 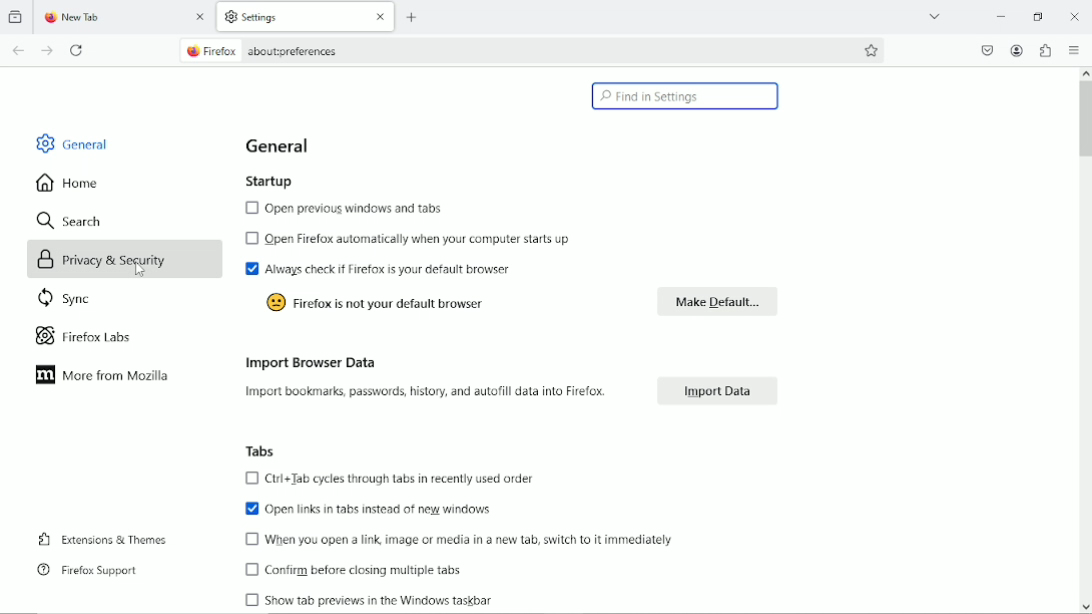 What do you see at coordinates (84, 334) in the screenshot?
I see `firefox labs` at bounding box center [84, 334].